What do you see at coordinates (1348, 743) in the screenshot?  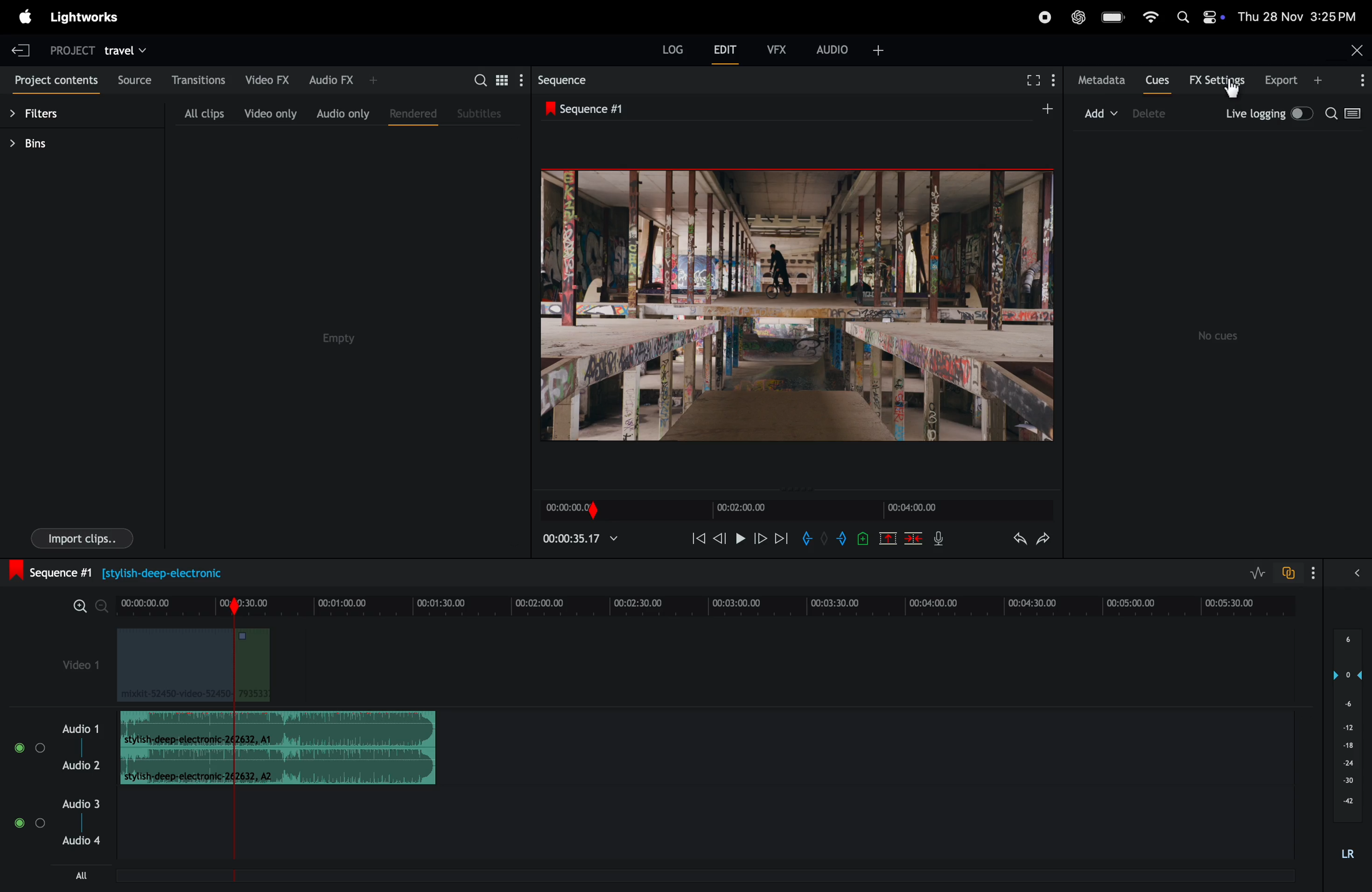 I see `audio level` at bounding box center [1348, 743].